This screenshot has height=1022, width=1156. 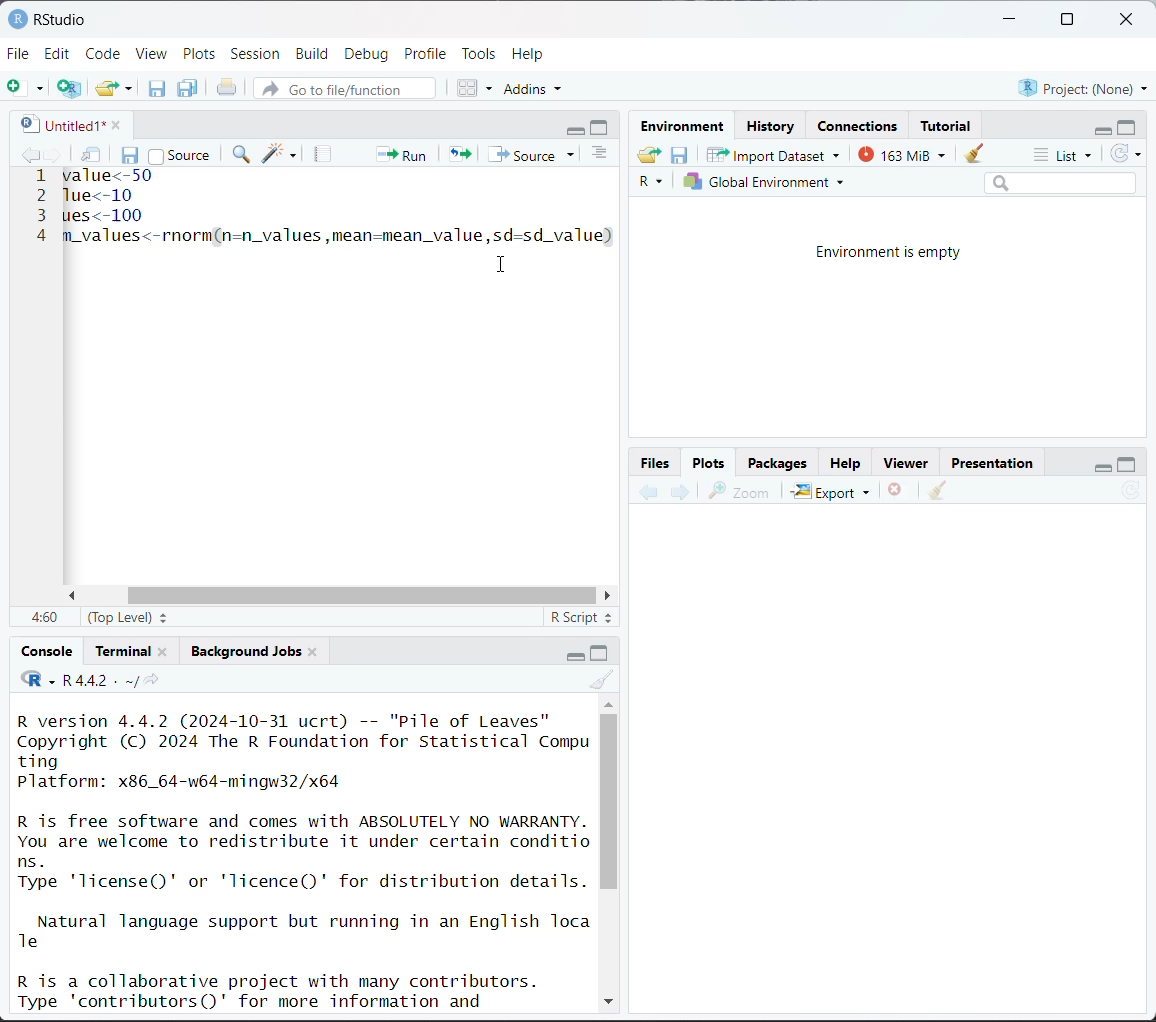 I want to click on R script, so click(x=582, y=620).